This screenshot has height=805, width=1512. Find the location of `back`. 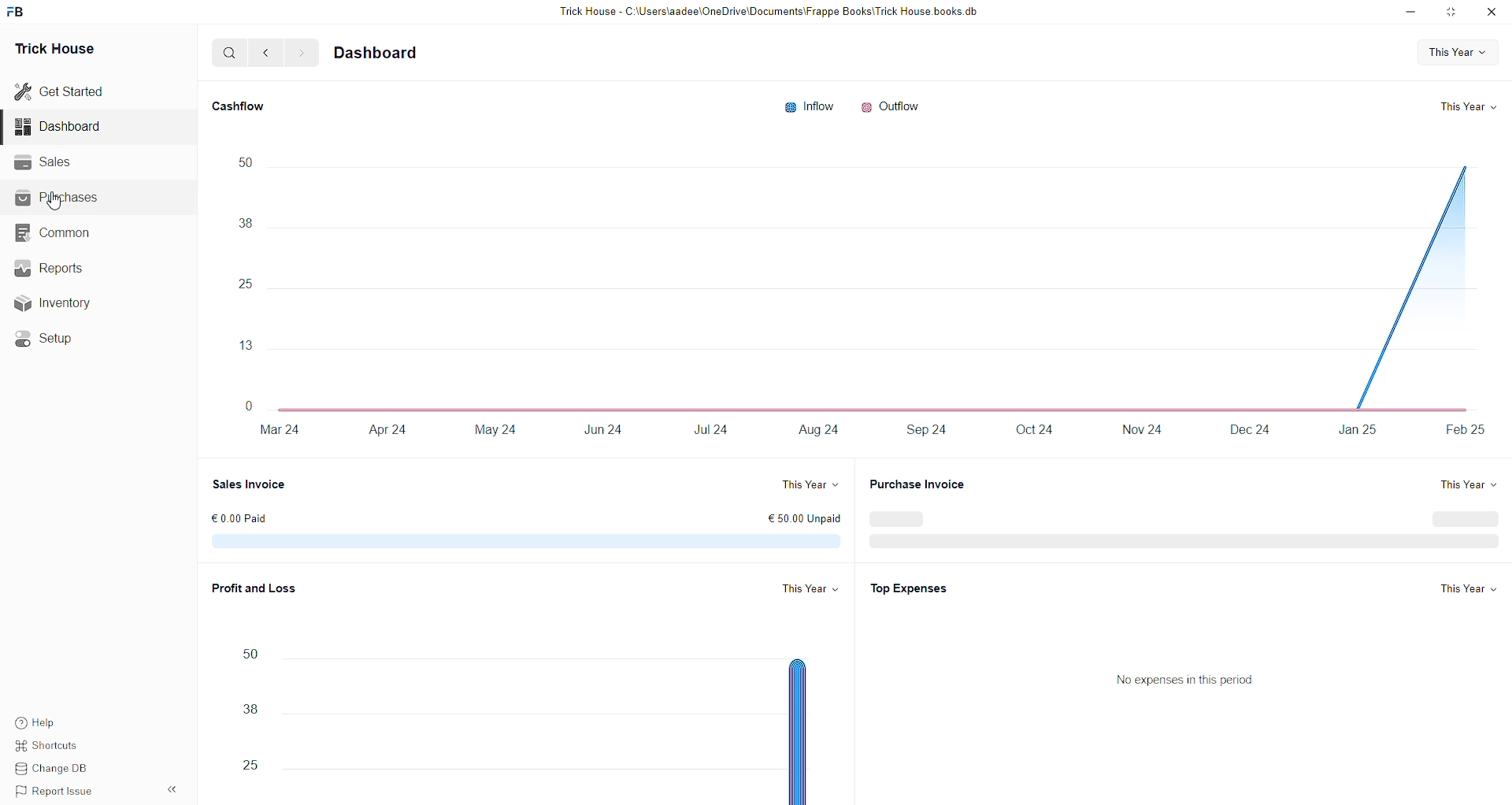

back is located at coordinates (265, 54).